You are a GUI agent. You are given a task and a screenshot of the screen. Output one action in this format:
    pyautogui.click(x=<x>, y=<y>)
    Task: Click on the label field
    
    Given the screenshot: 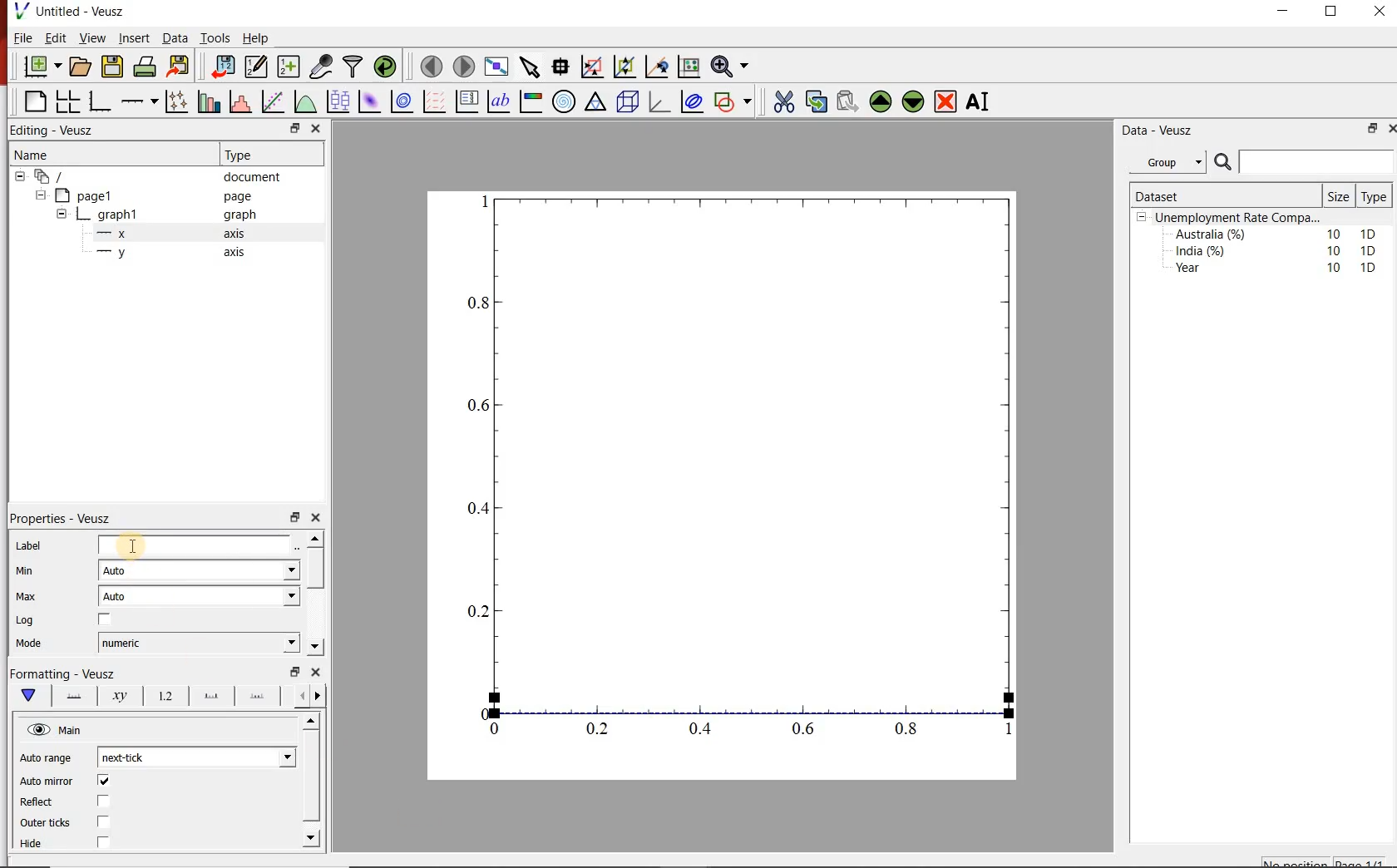 What is the action you would take?
    pyautogui.click(x=195, y=545)
    